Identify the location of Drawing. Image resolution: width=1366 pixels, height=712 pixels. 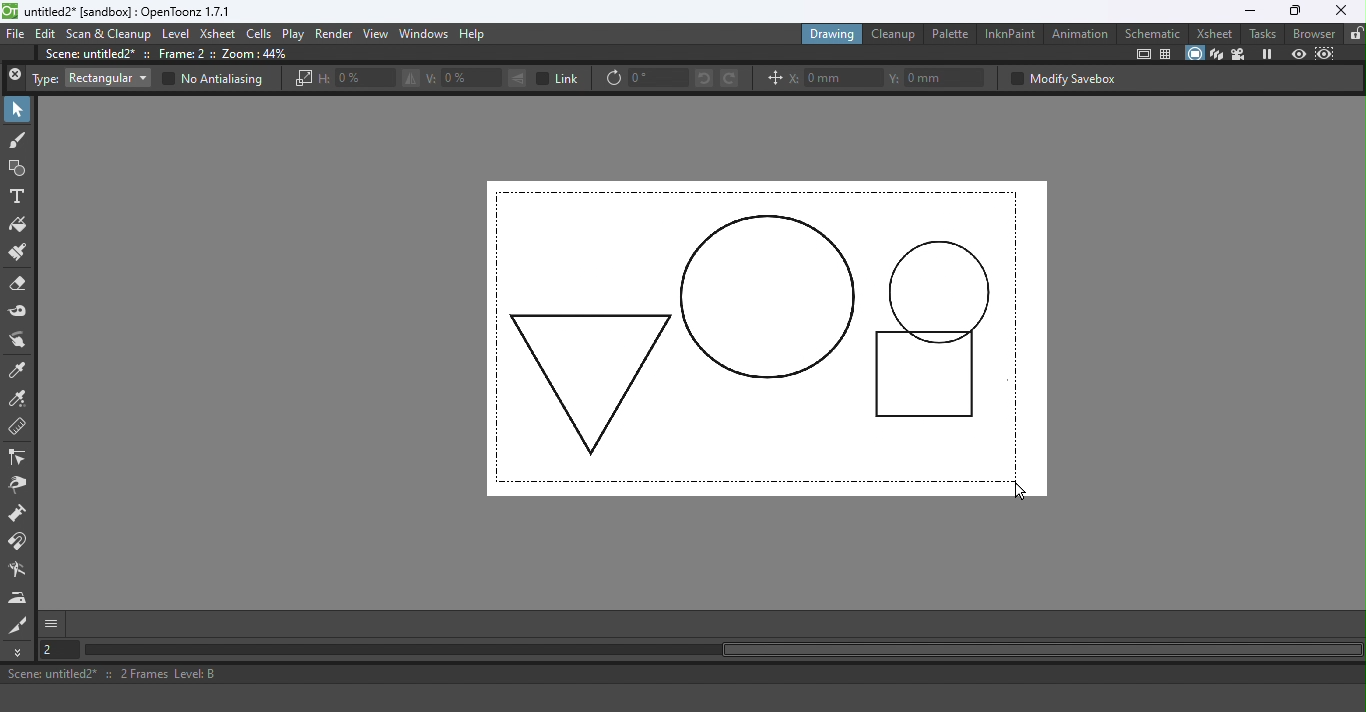
(832, 33).